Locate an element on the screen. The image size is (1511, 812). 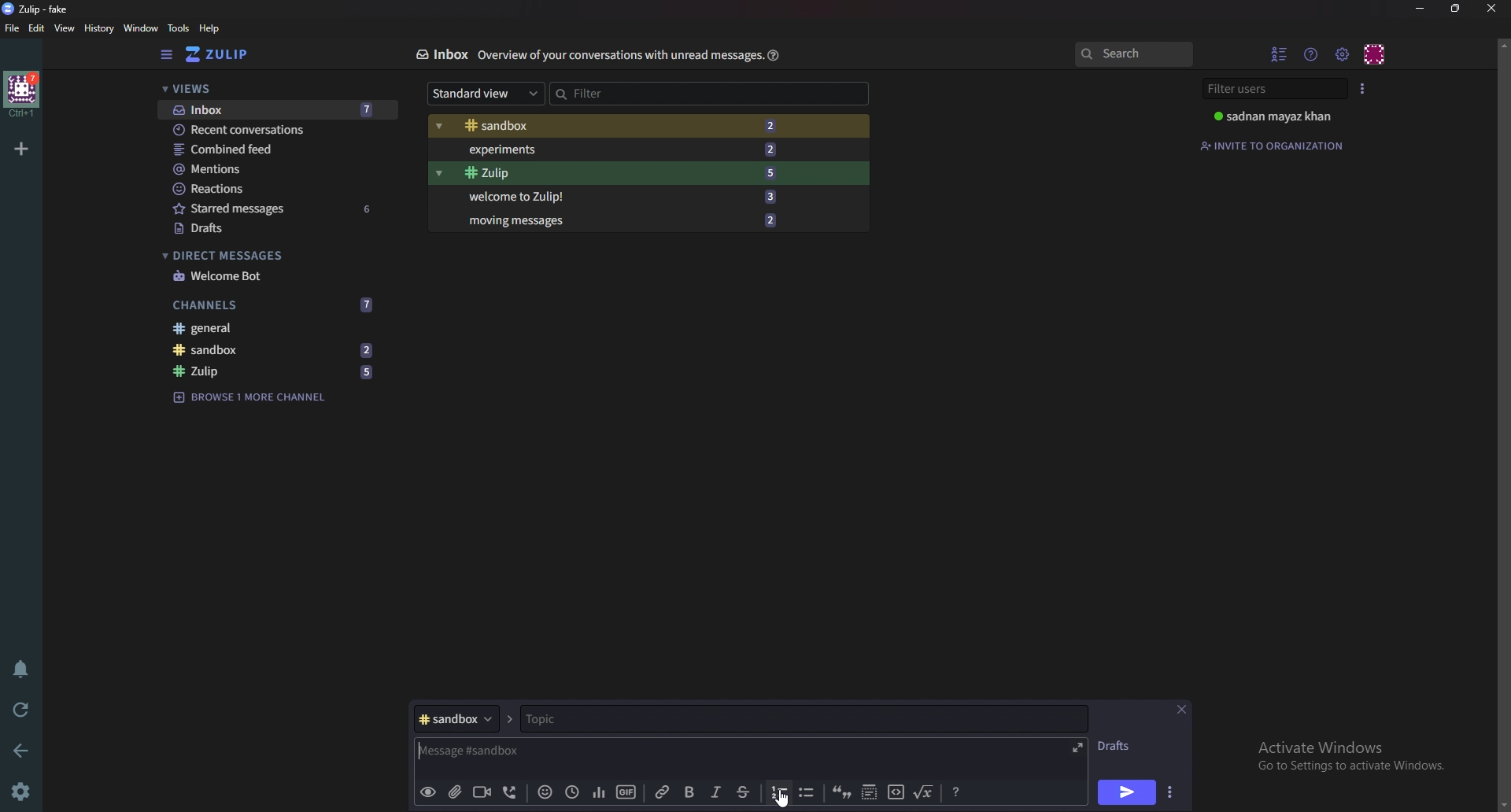
Bullet list is located at coordinates (806, 793).